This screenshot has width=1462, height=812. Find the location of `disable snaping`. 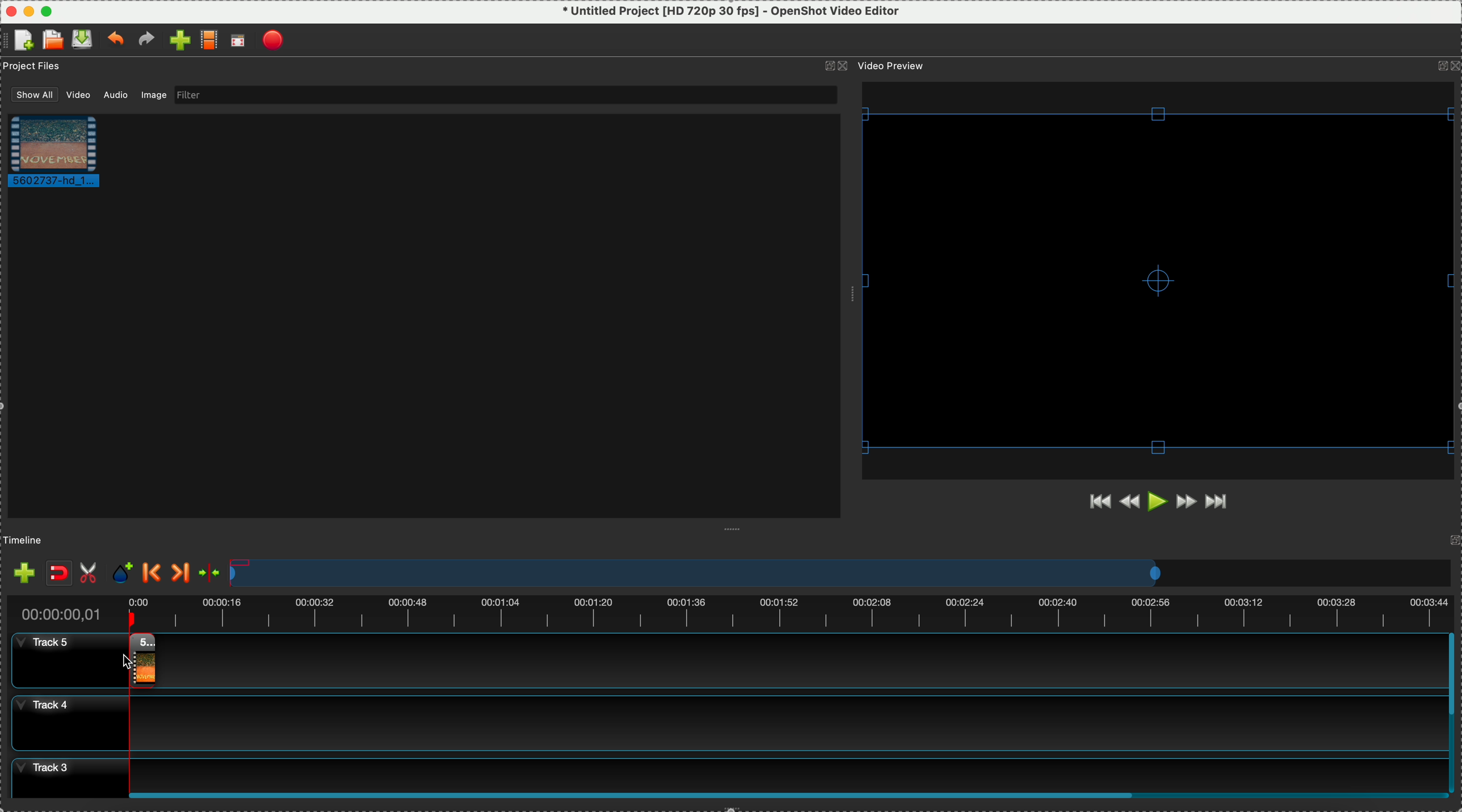

disable snaping is located at coordinates (59, 573).